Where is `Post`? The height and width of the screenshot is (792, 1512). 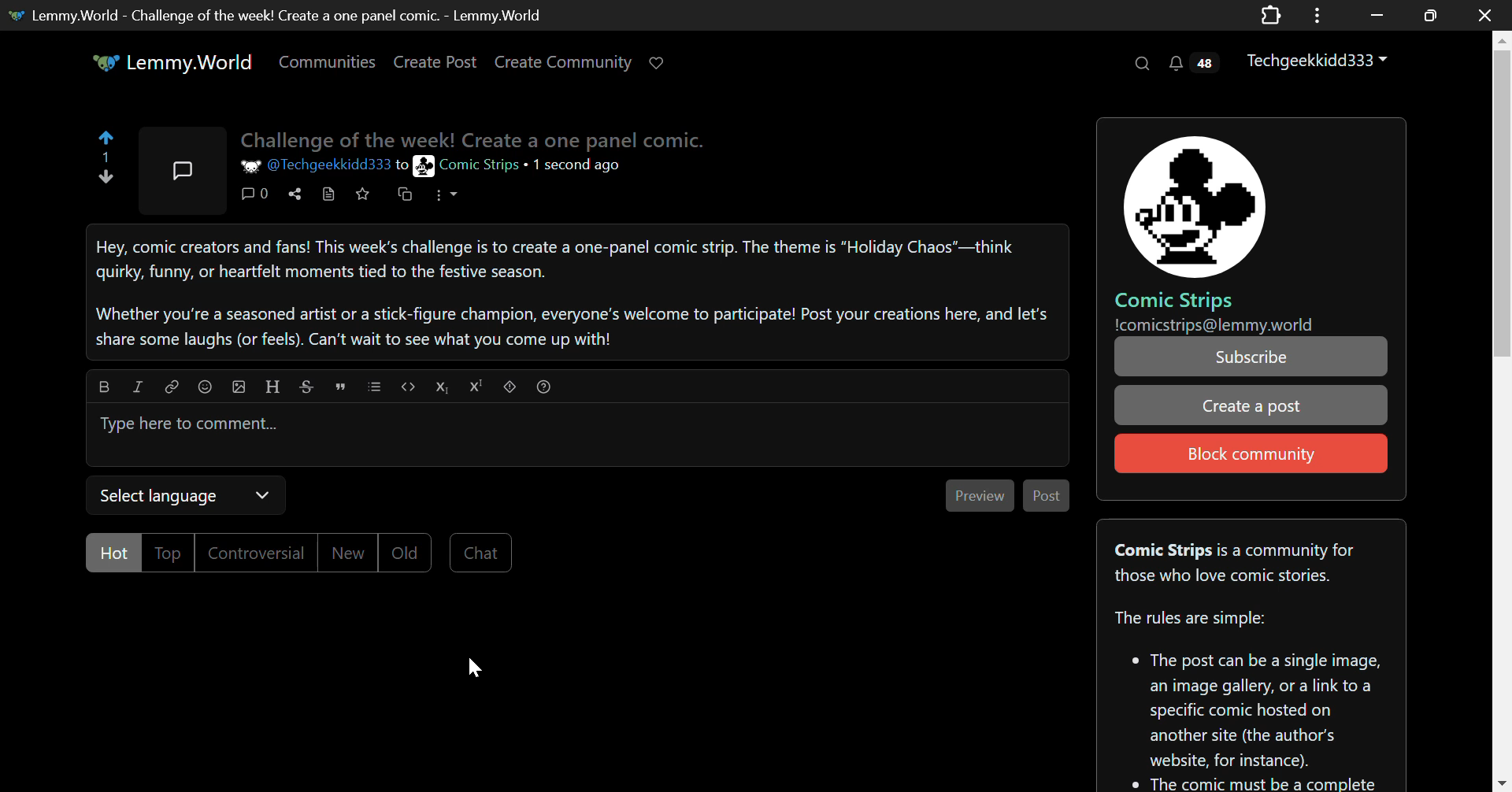
Post is located at coordinates (1049, 496).